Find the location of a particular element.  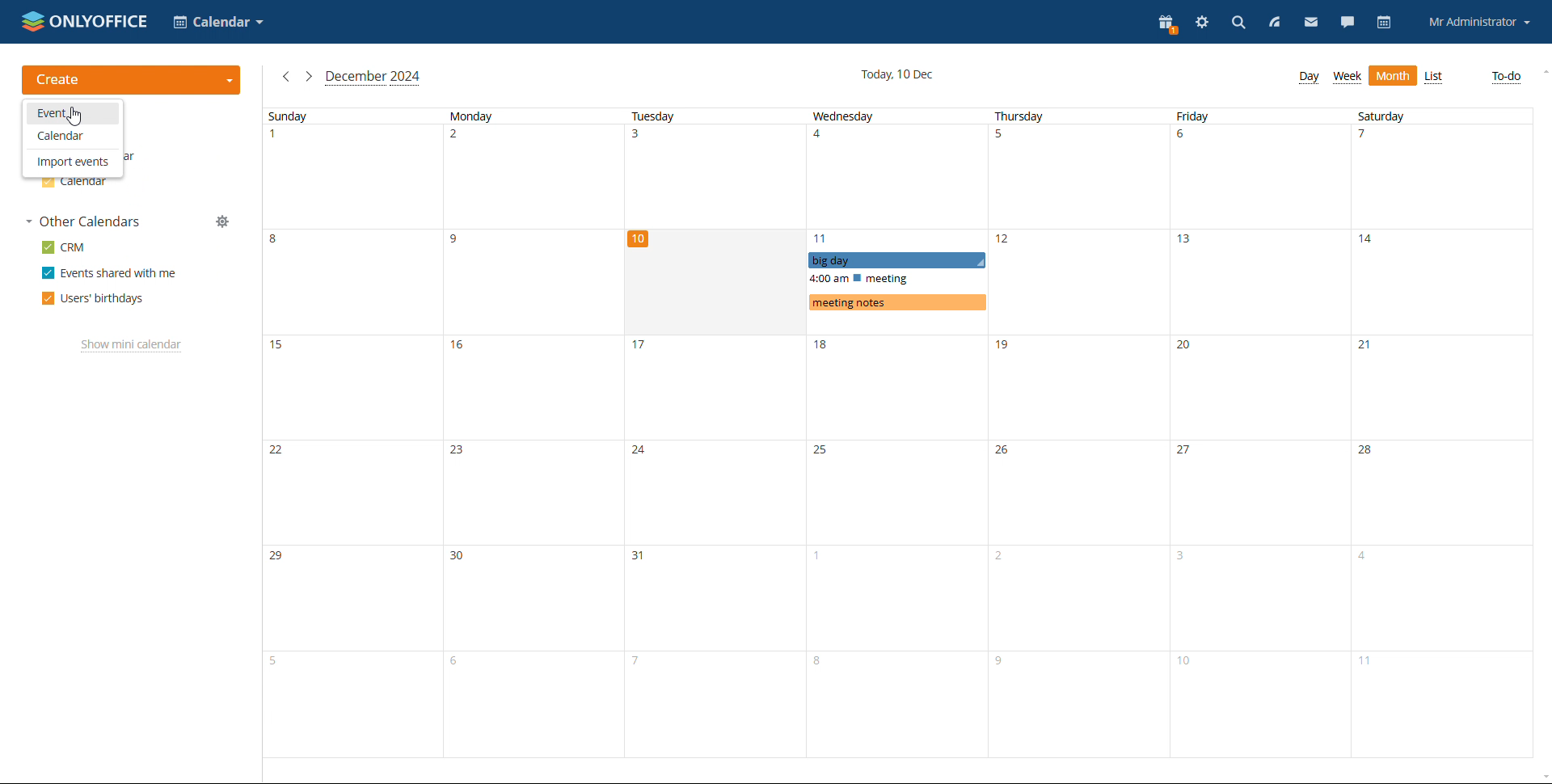

thursday is located at coordinates (1079, 432).